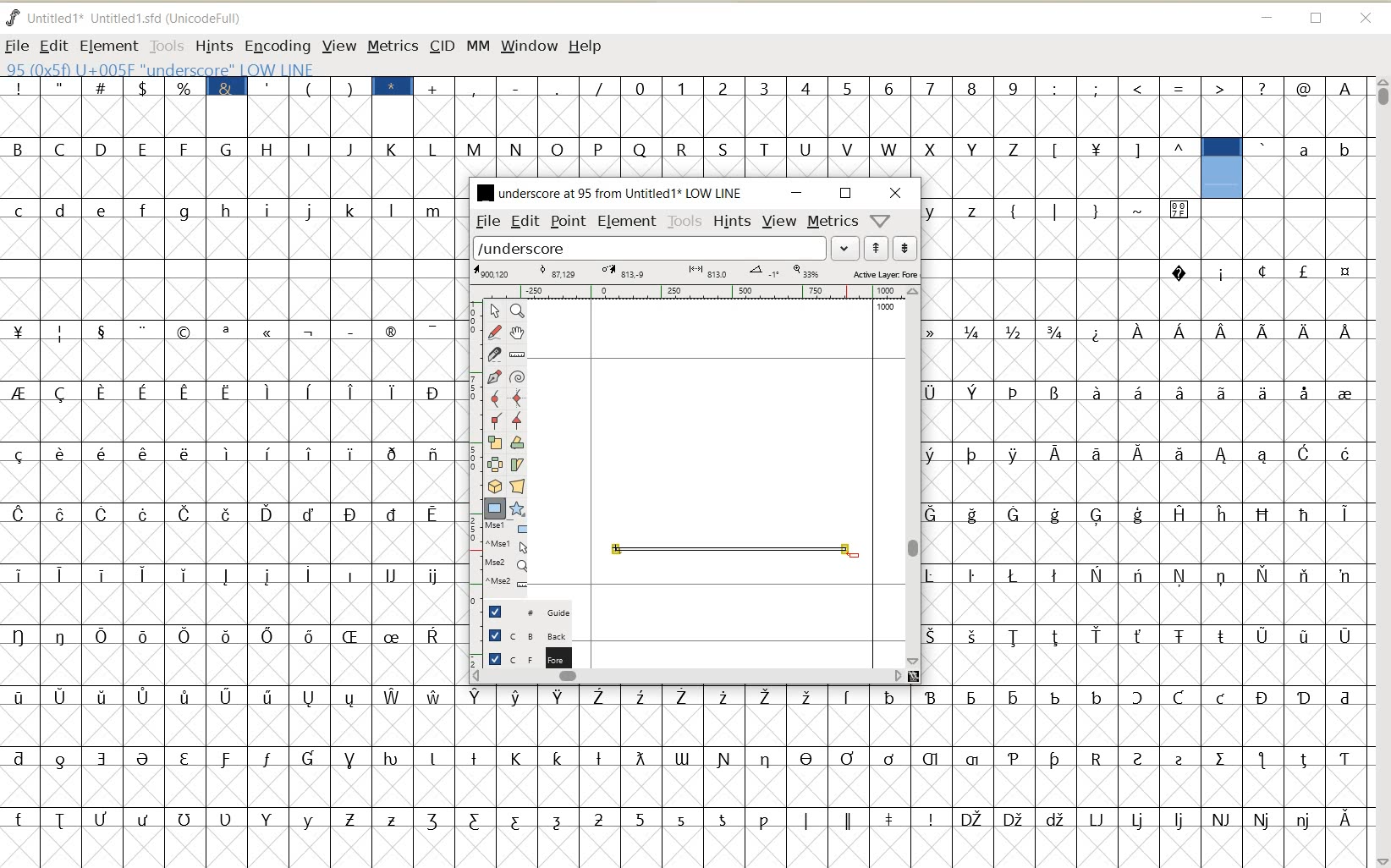 The image size is (1391, 868). Describe the element at coordinates (1059, 491) in the screenshot. I see `GLYPHY CHARACTERS` at that location.